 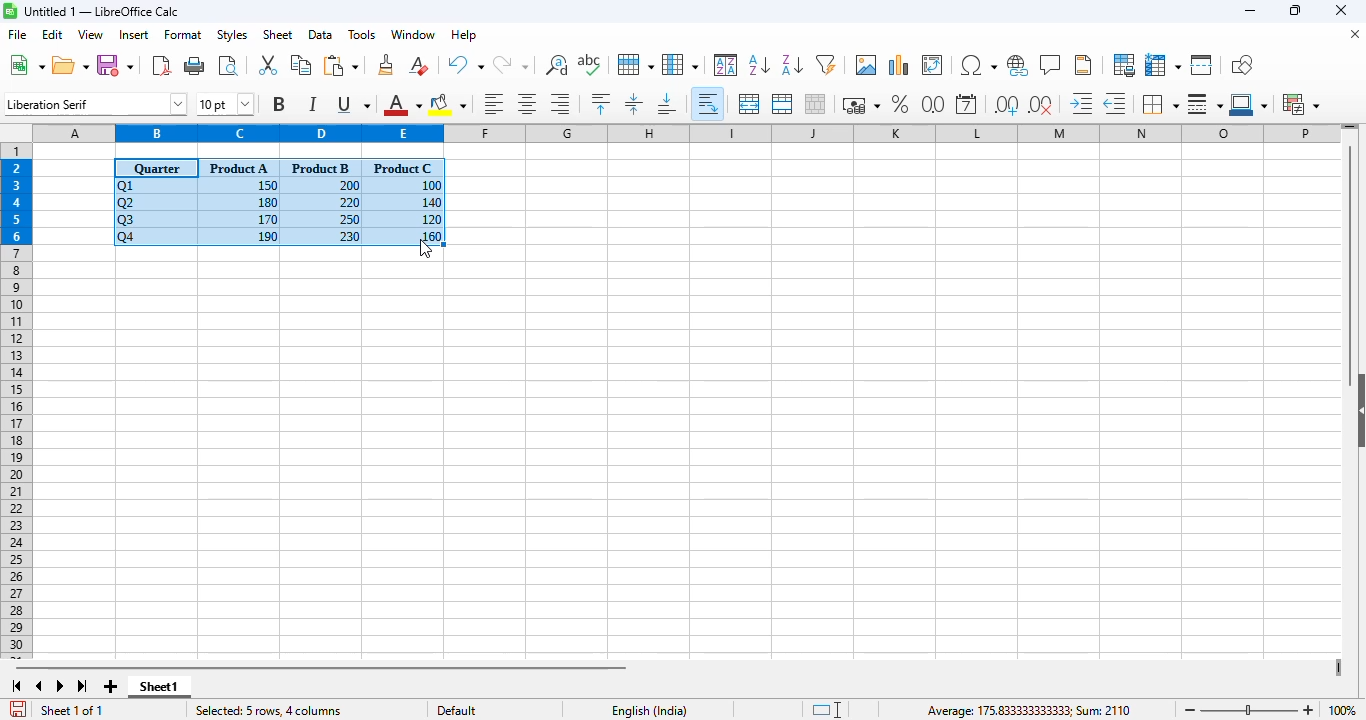 I want to click on align top, so click(x=600, y=103).